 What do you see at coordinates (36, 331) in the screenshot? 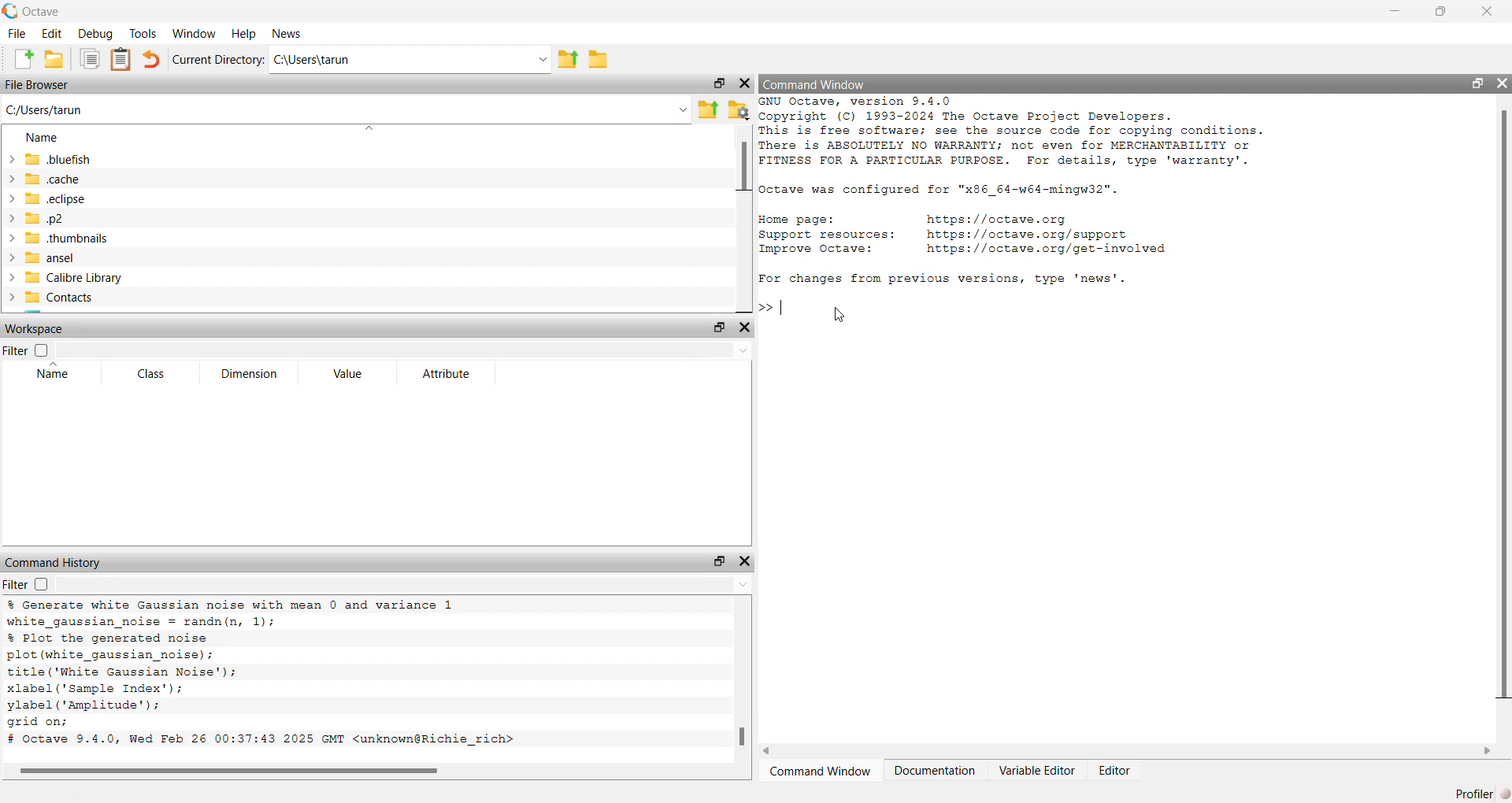
I see `Workspace` at bounding box center [36, 331].